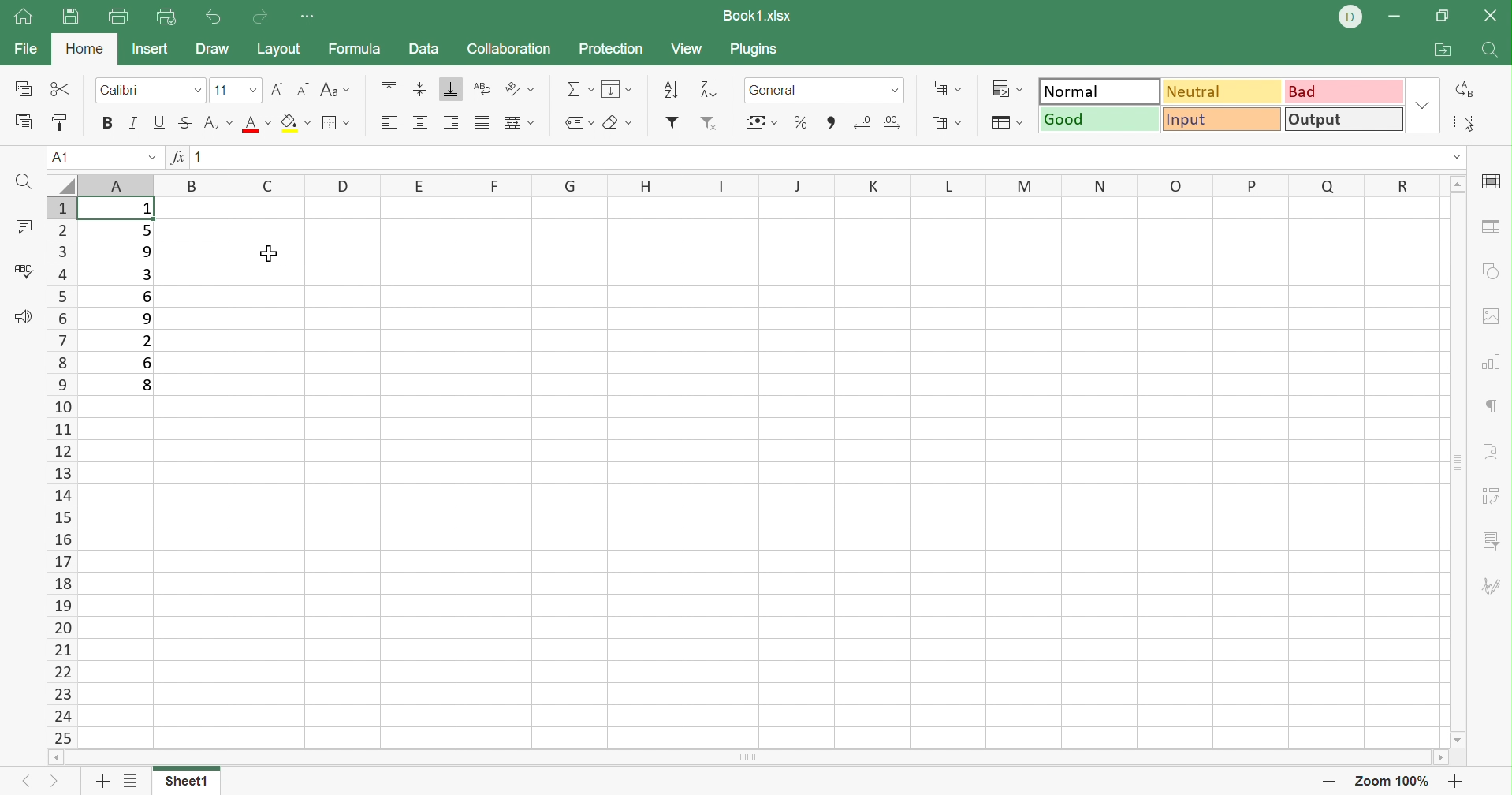 The width and height of the screenshot is (1512, 795). Describe the element at coordinates (60, 185) in the screenshot. I see `select all cells` at that location.